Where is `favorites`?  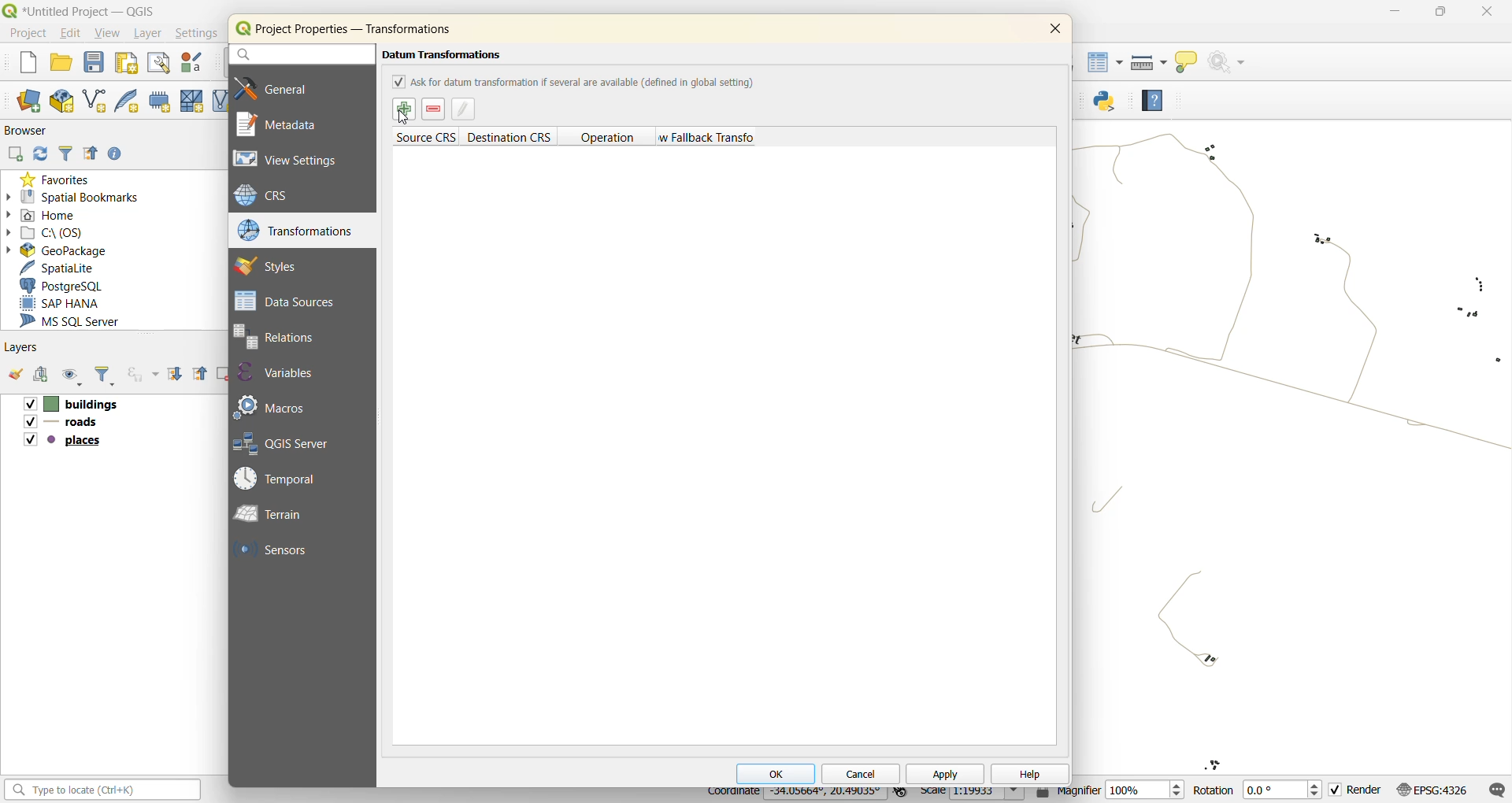
favorites is located at coordinates (57, 179).